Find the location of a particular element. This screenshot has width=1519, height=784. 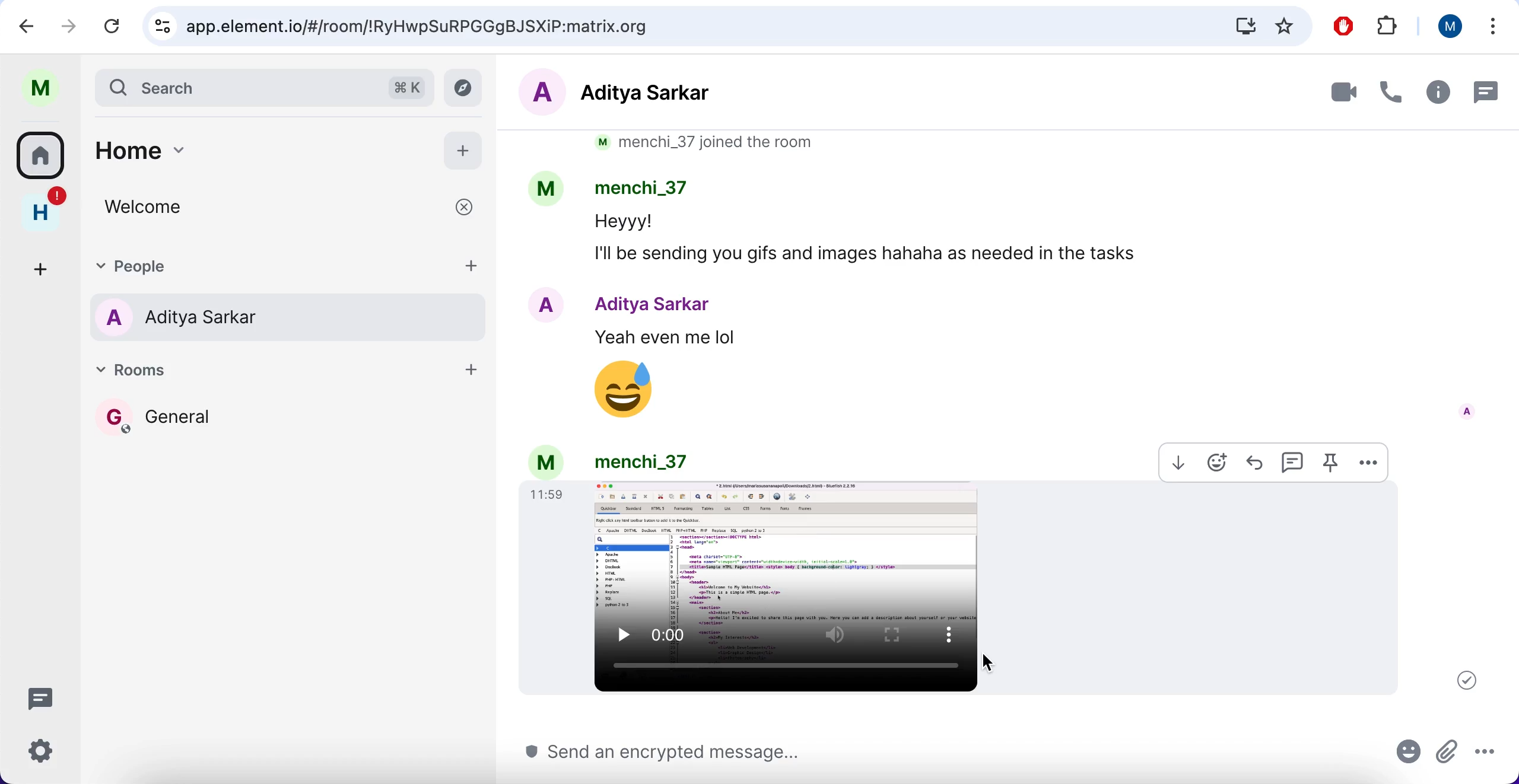

forward is located at coordinates (68, 26).